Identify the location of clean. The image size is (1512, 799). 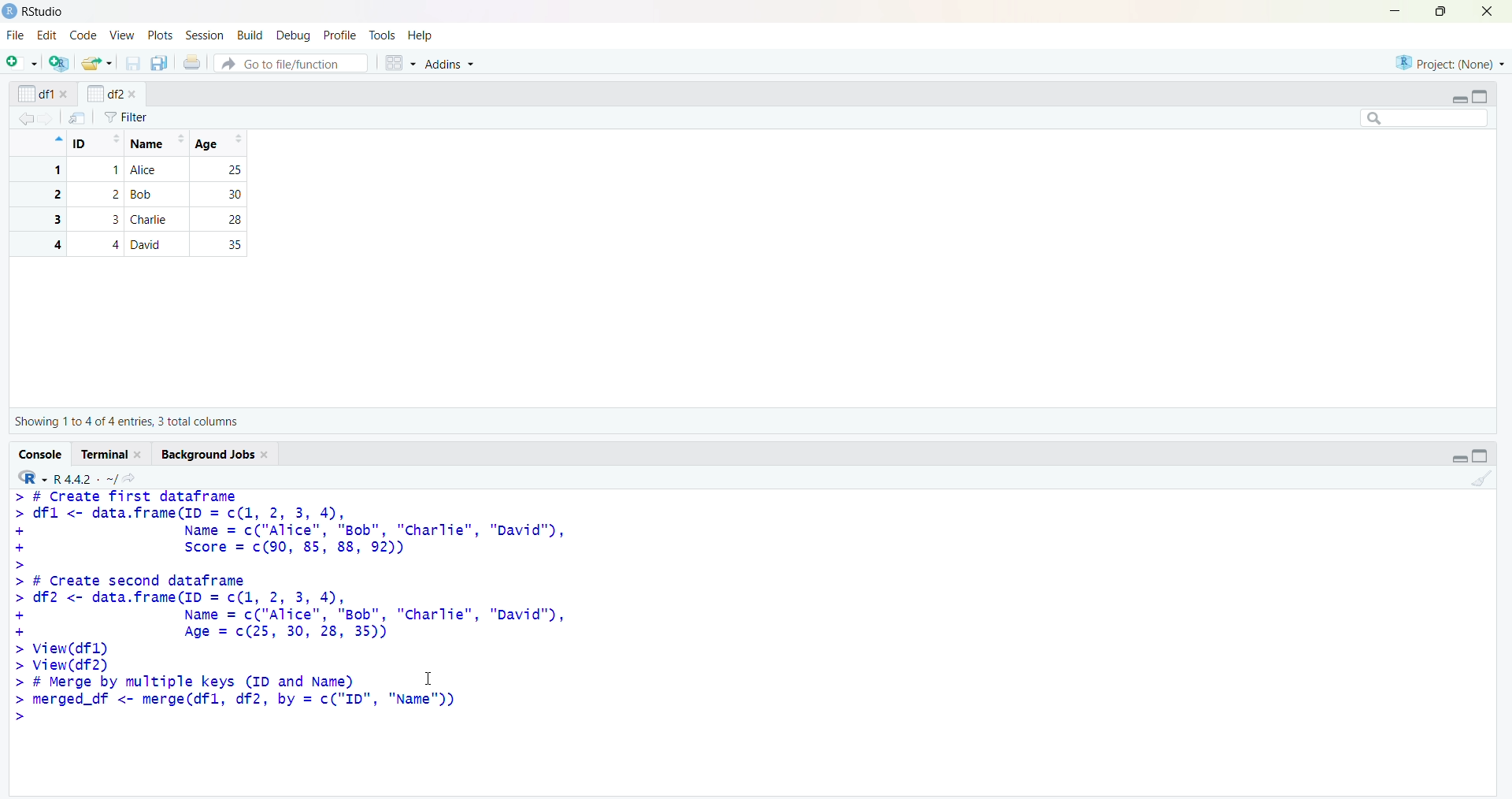
(1483, 479).